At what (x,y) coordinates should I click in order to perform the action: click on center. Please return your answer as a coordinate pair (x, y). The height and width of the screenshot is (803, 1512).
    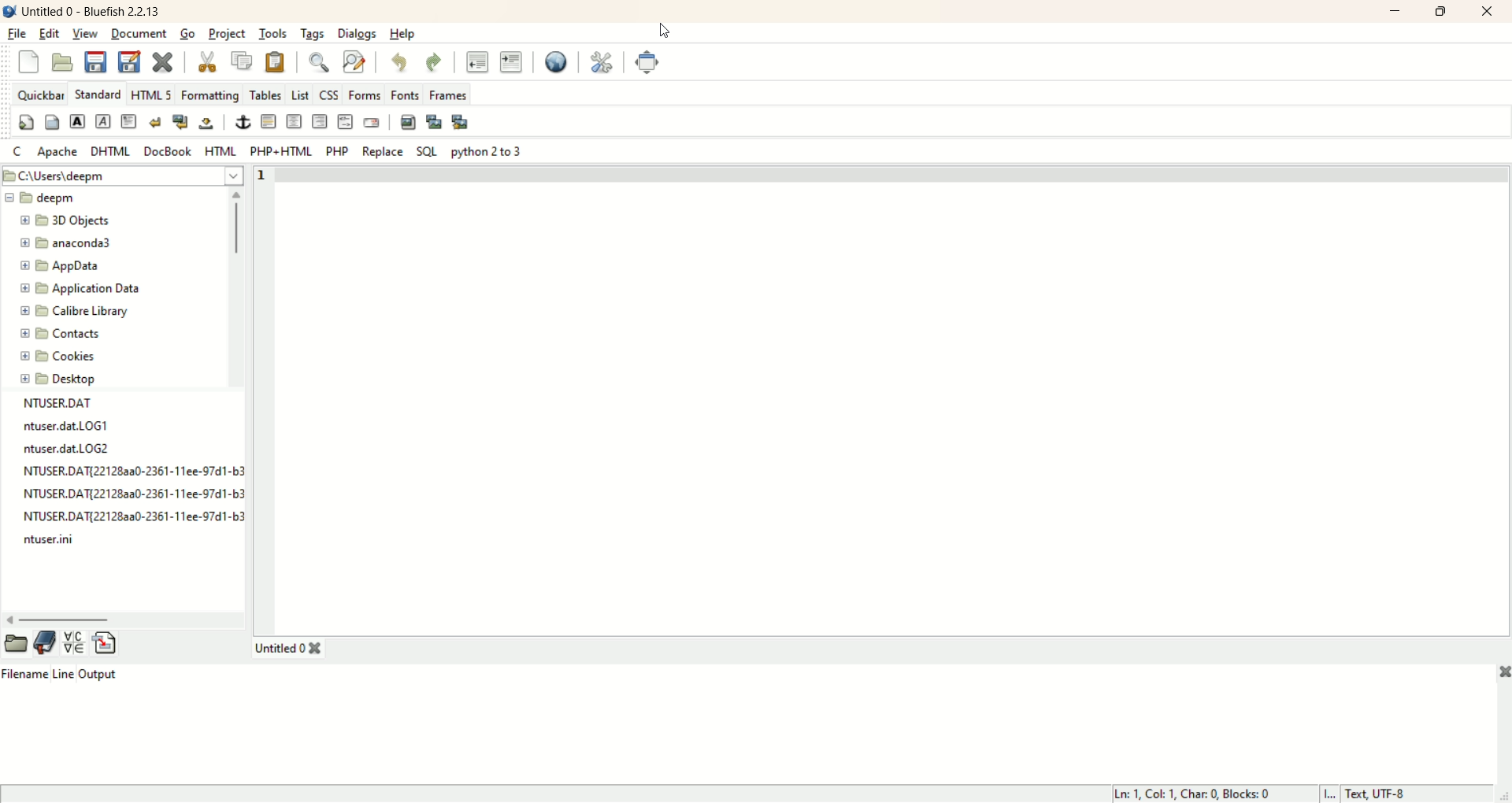
    Looking at the image, I should click on (294, 123).